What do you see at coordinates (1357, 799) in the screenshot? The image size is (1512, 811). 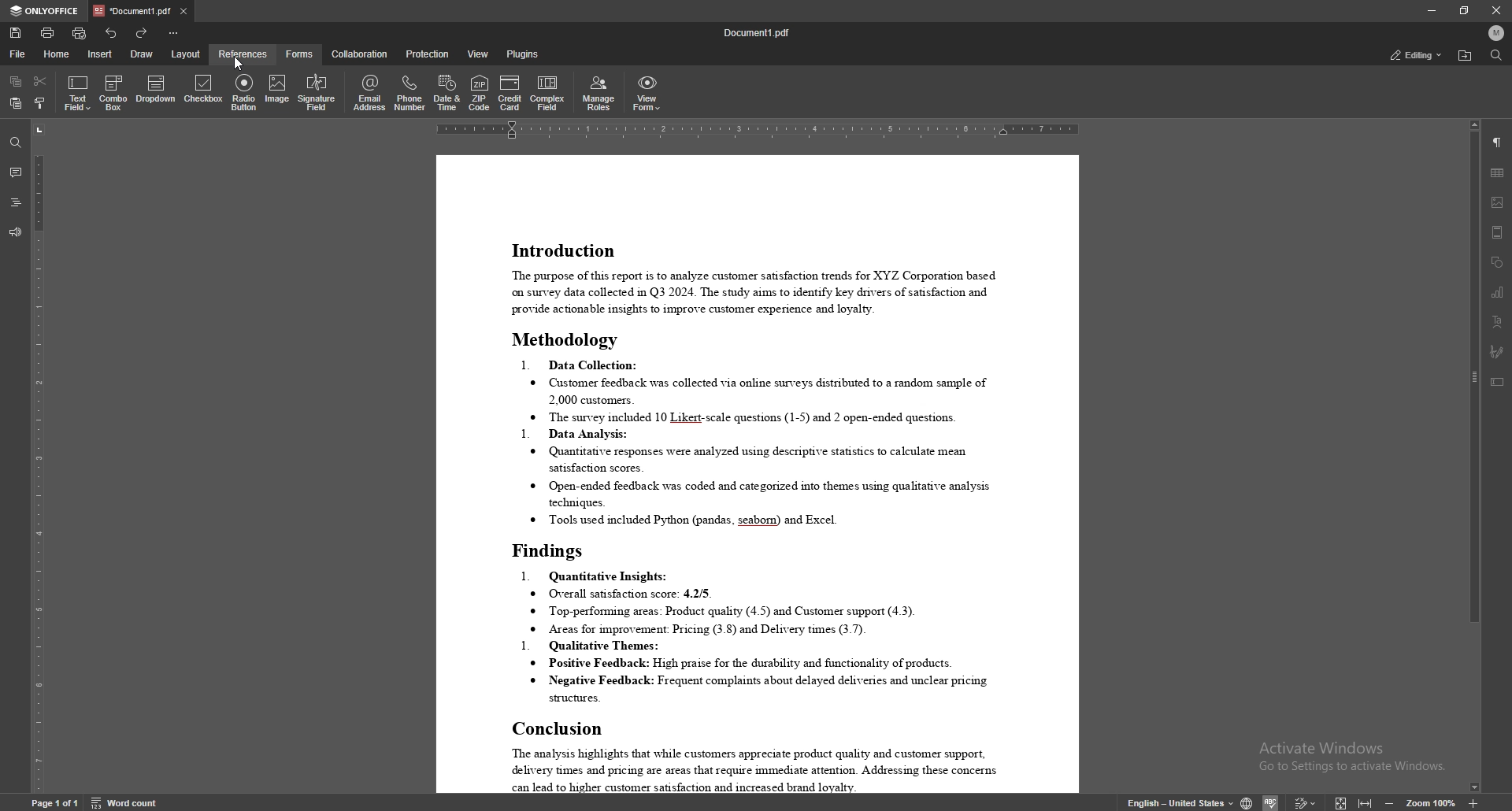 I see `expand` at bounding box center [1357, 799].